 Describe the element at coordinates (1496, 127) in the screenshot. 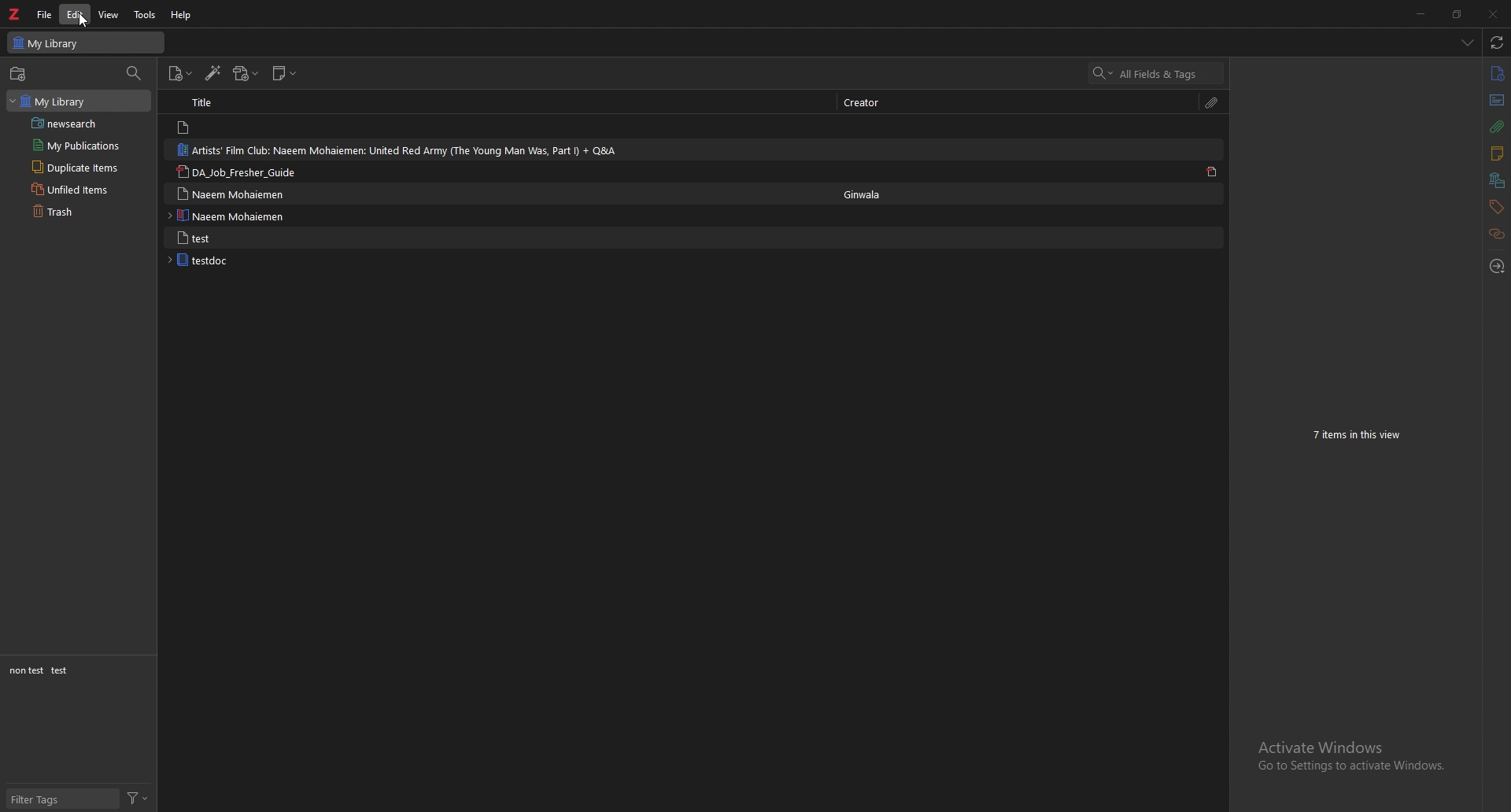

I see `attachment` at that location.